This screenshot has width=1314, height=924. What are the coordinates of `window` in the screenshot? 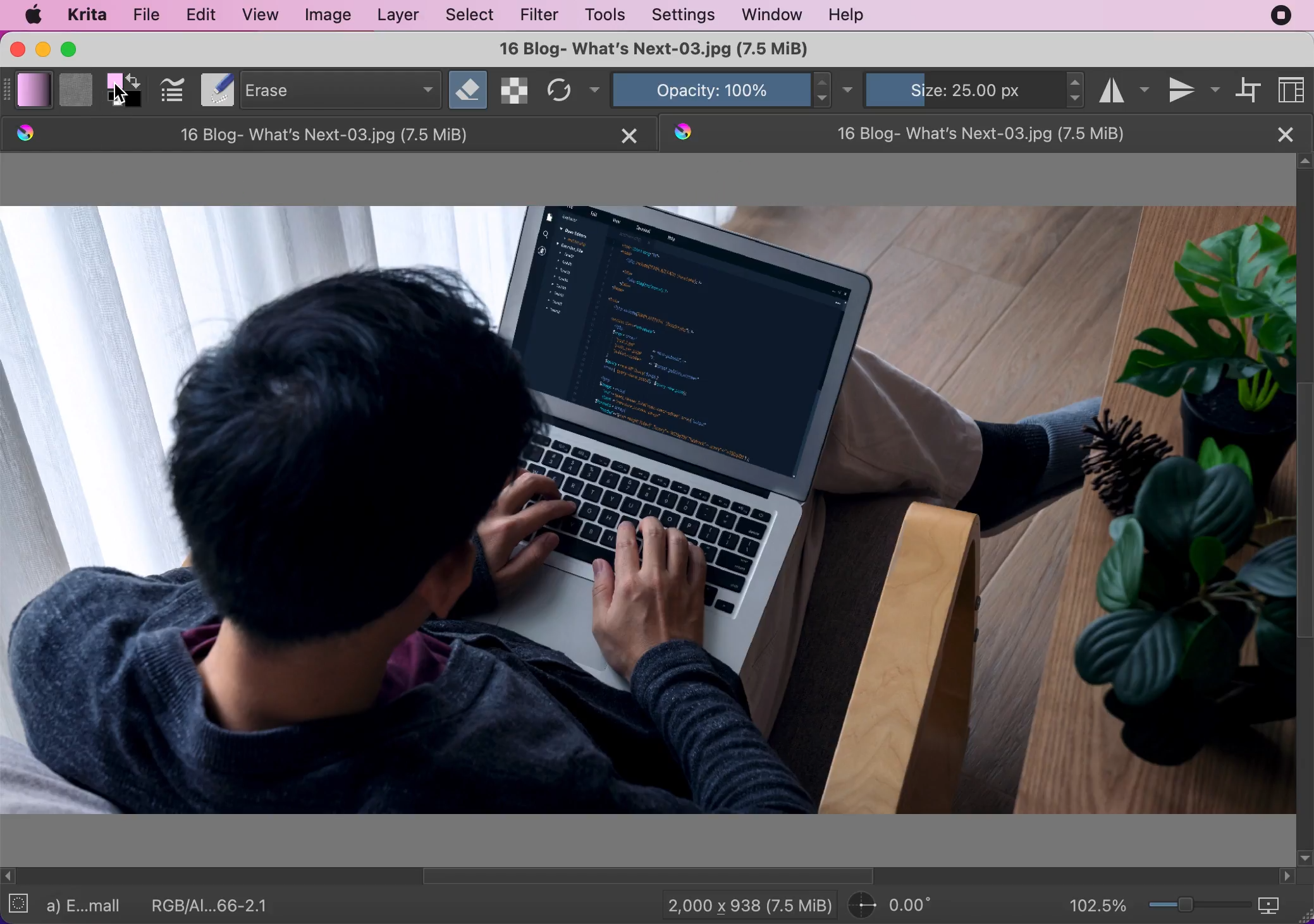 It's located at (773, 15).